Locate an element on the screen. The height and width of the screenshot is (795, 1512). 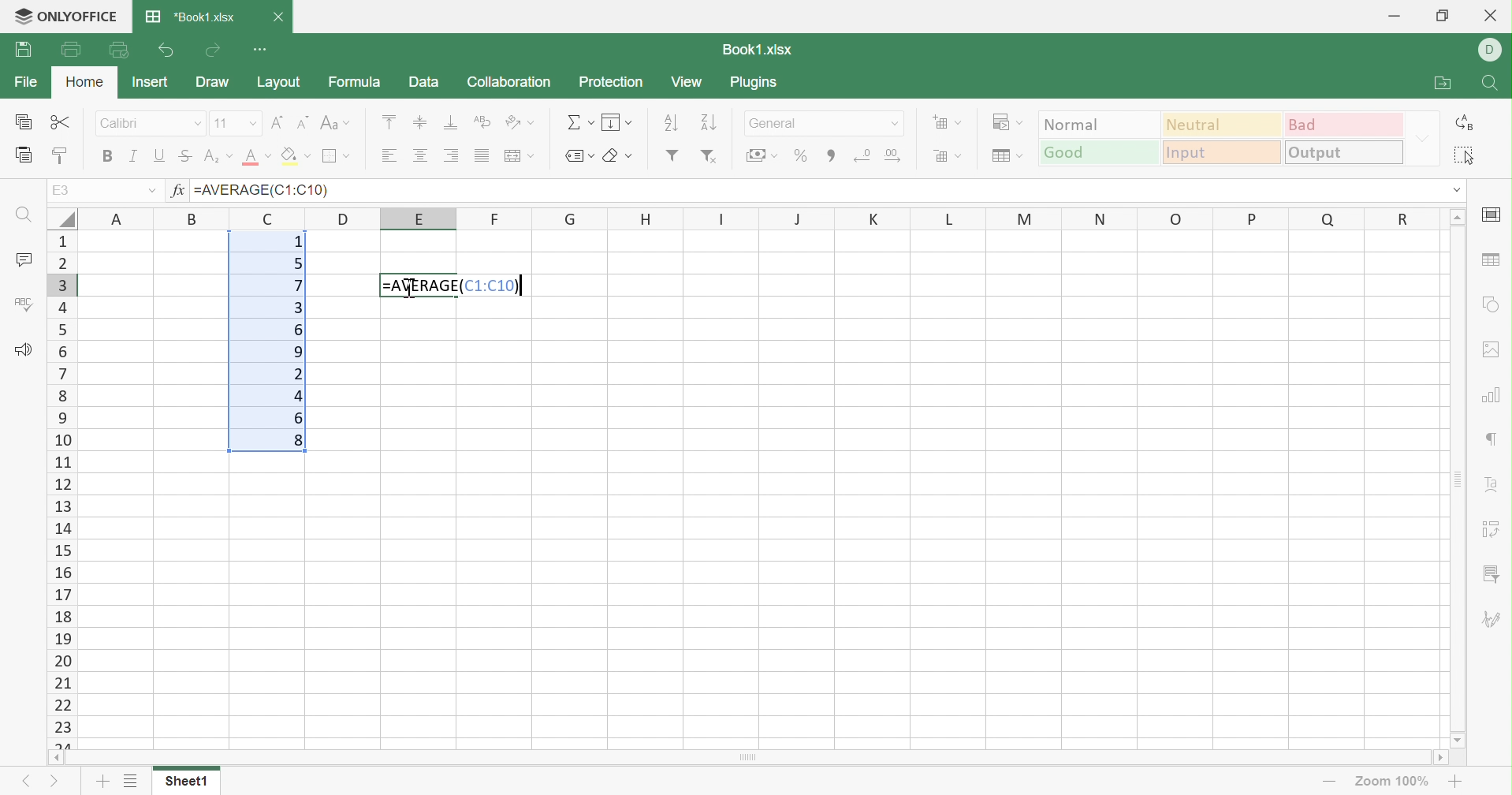
Change case is located at coordinates (337, 125).